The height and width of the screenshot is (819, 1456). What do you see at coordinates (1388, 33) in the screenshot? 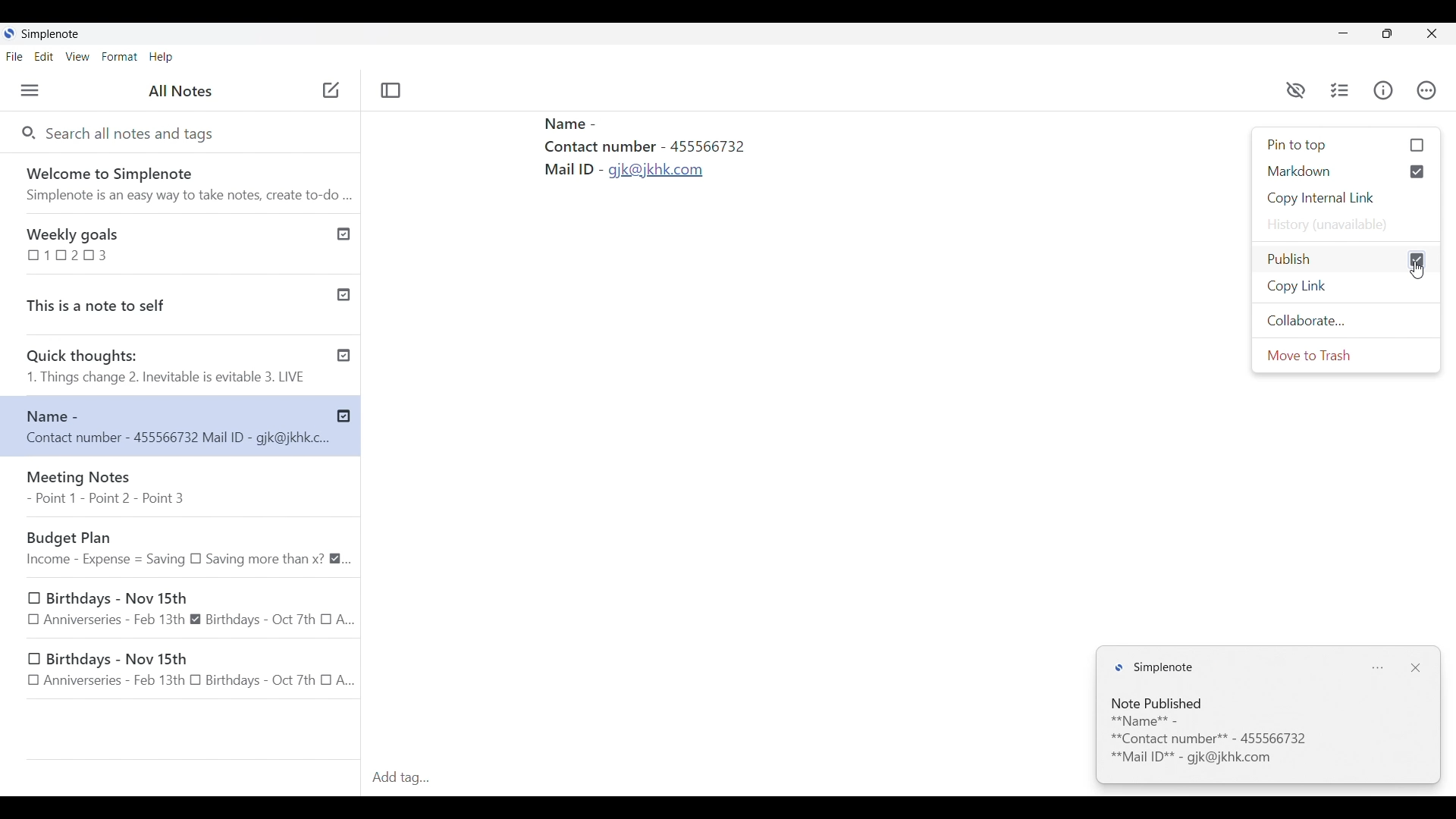
I see `Show interface in a smaller tab` at bounding box center [1388, 33].